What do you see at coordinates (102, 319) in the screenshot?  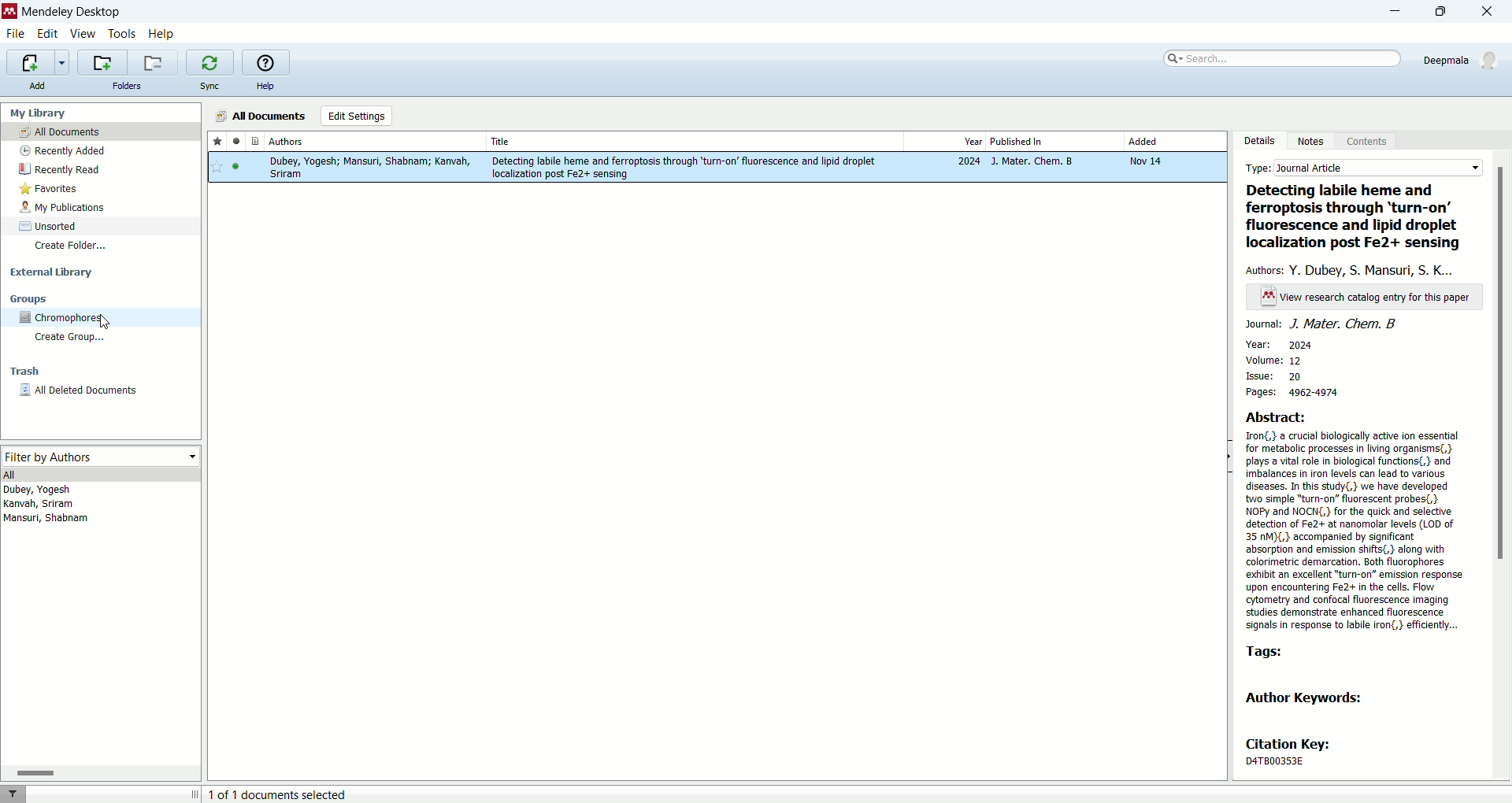 I see `cursor` at bounding box center [102, 319].